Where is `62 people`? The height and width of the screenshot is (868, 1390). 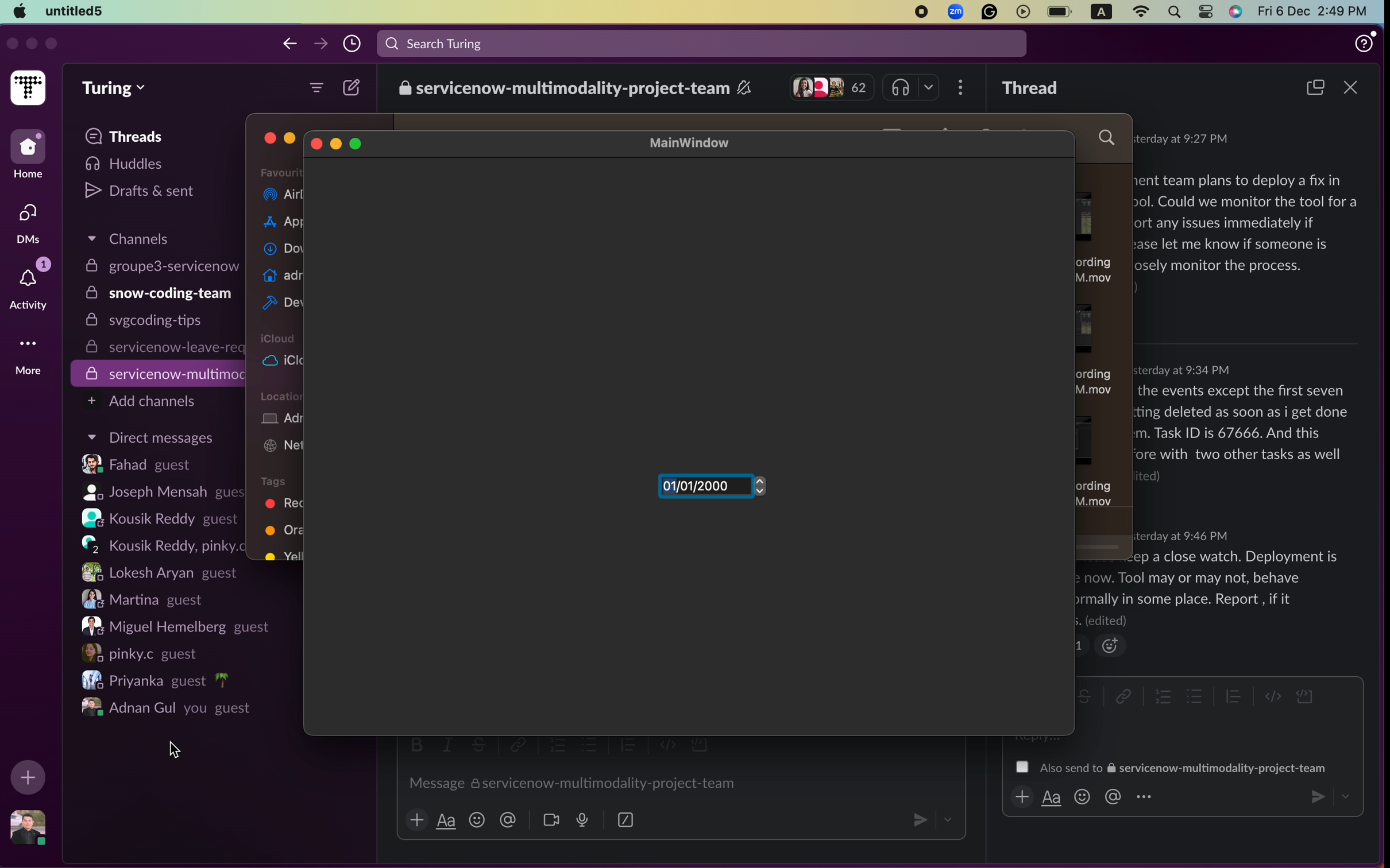
62 people is located at coordinates (832, 87).